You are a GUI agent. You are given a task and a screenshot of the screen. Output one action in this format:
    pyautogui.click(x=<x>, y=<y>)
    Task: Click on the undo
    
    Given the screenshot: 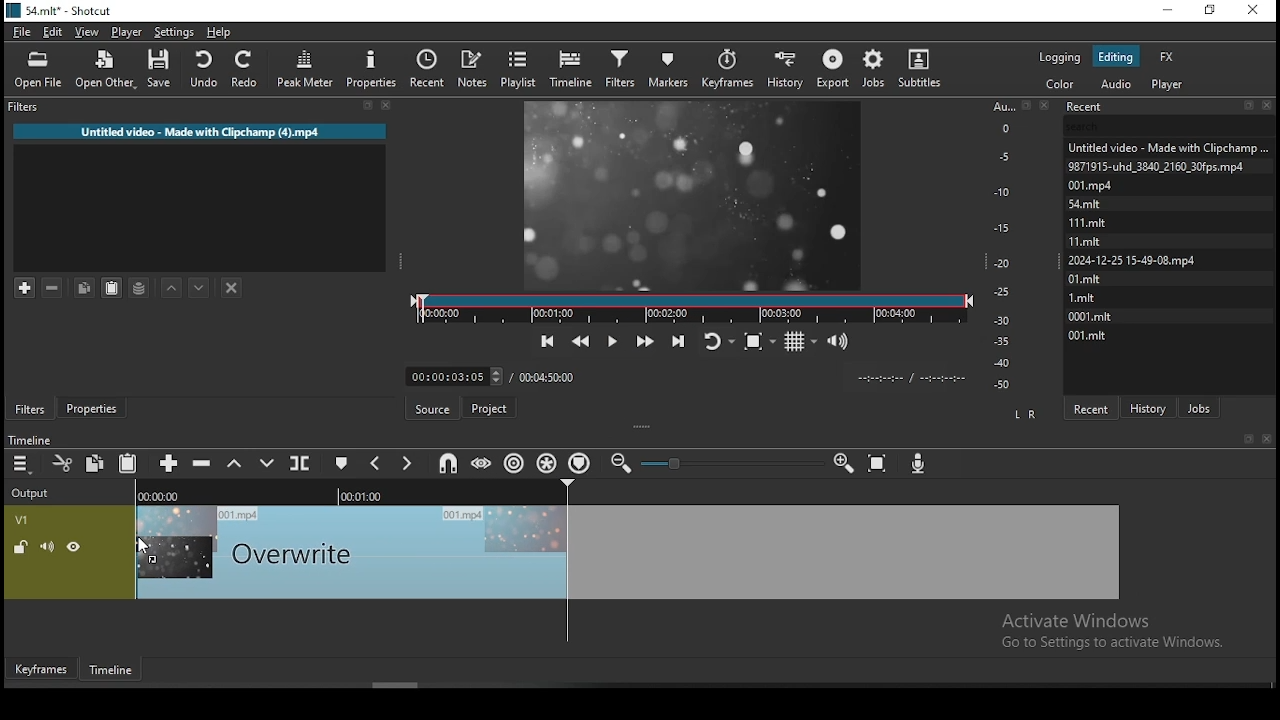 What is the action you would take?
    pyautogui.click(x=202, y=68)
    